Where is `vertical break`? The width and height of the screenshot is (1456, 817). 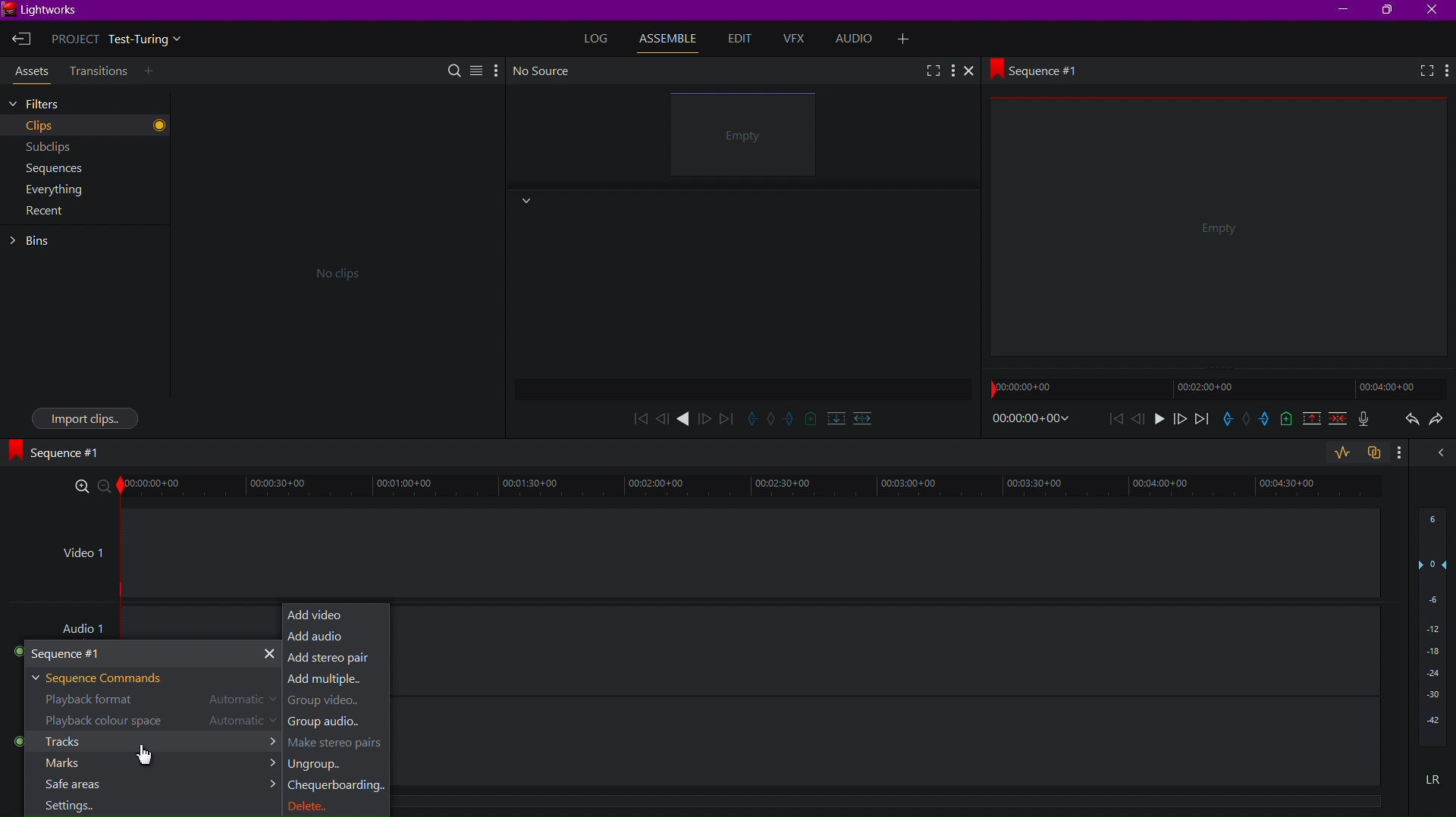 vertical break is located at coordinates (833, 418).